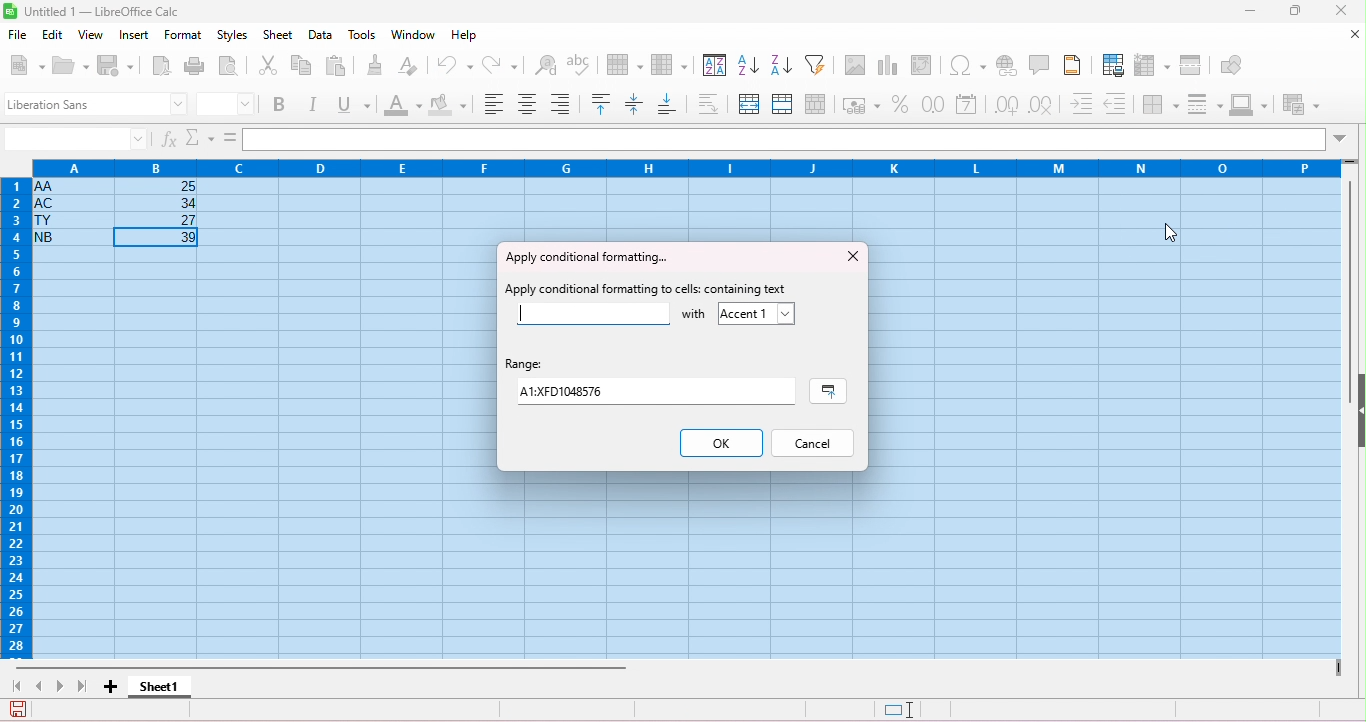  I want to click on print preview, so click(230, 66).